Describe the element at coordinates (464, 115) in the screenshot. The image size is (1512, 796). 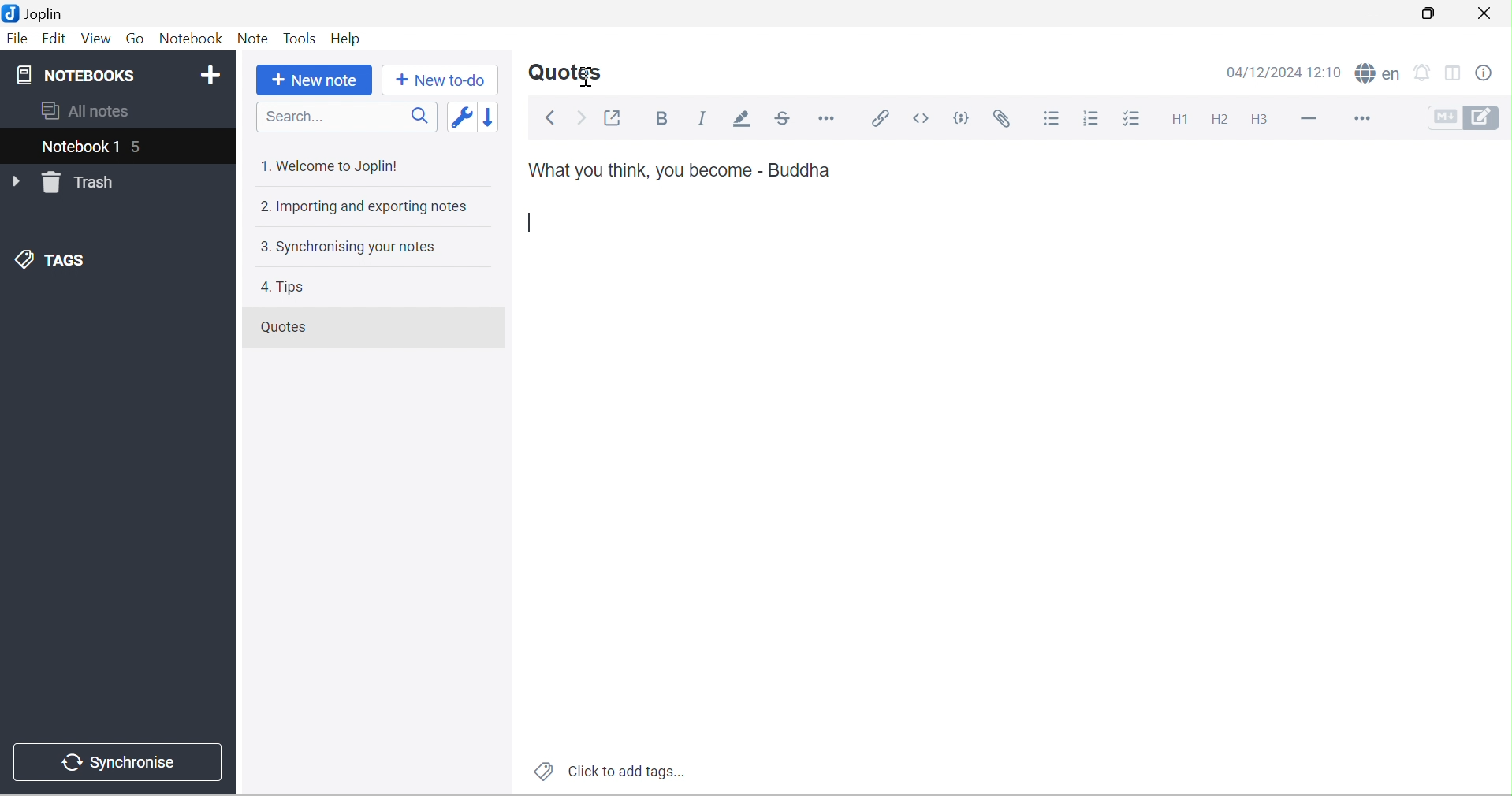
I see `Toggle sort order field` at that location.